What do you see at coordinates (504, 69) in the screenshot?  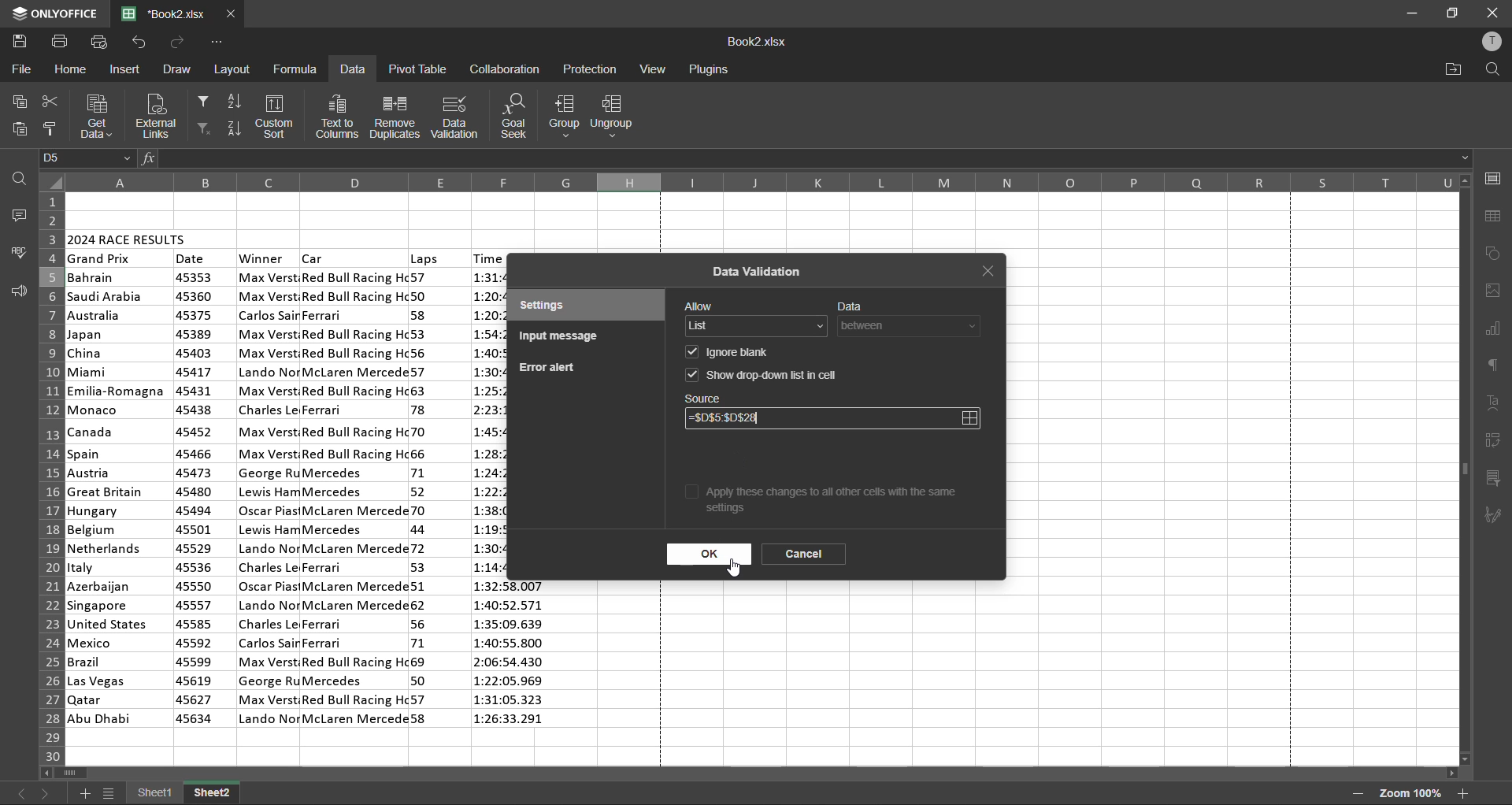 I see `collaboration` at bounding box center [504, 69].